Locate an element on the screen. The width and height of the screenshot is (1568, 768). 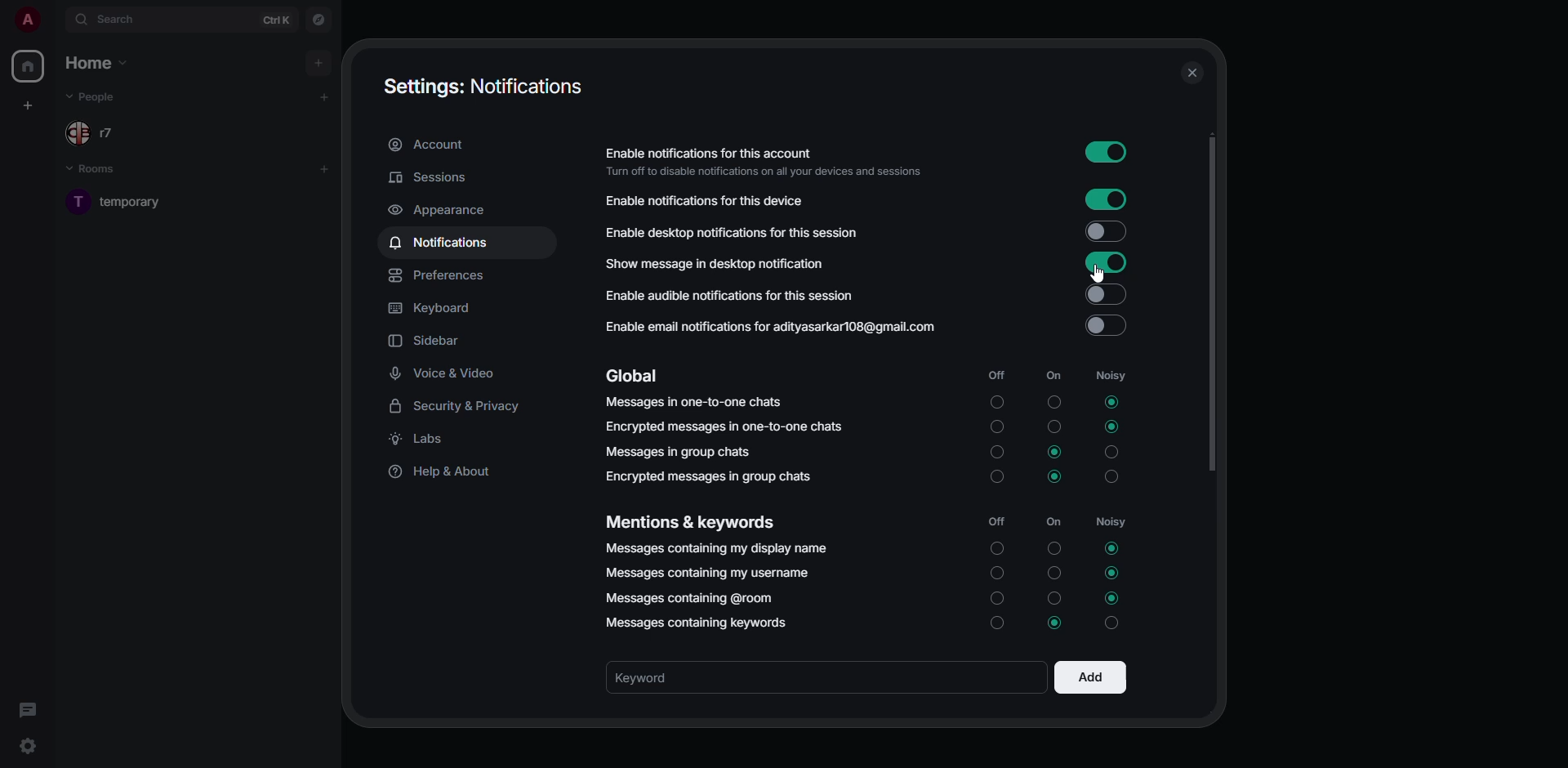
turn on is located at coordinates (995, 452).